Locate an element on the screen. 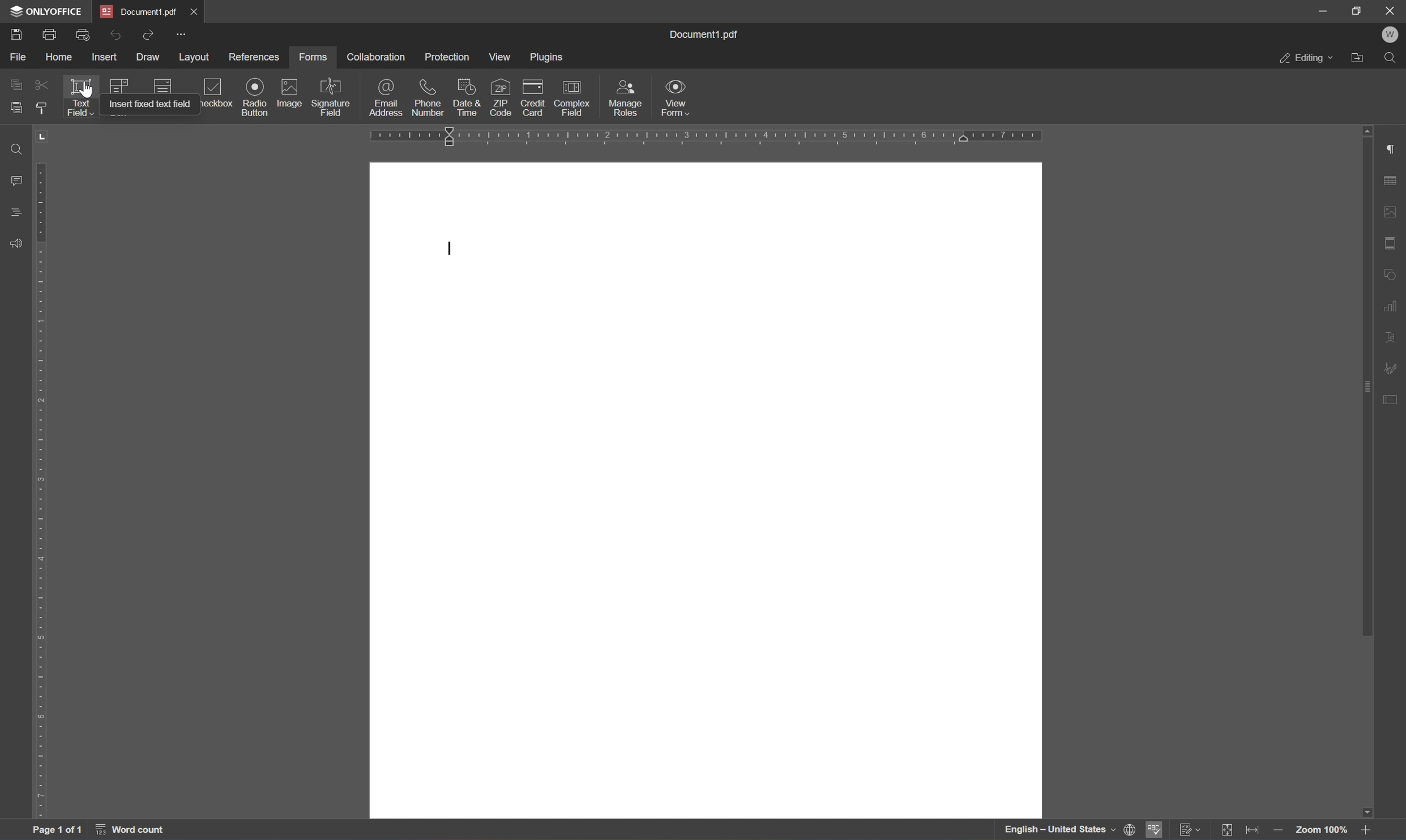  close is located at coordinates (195, 13).